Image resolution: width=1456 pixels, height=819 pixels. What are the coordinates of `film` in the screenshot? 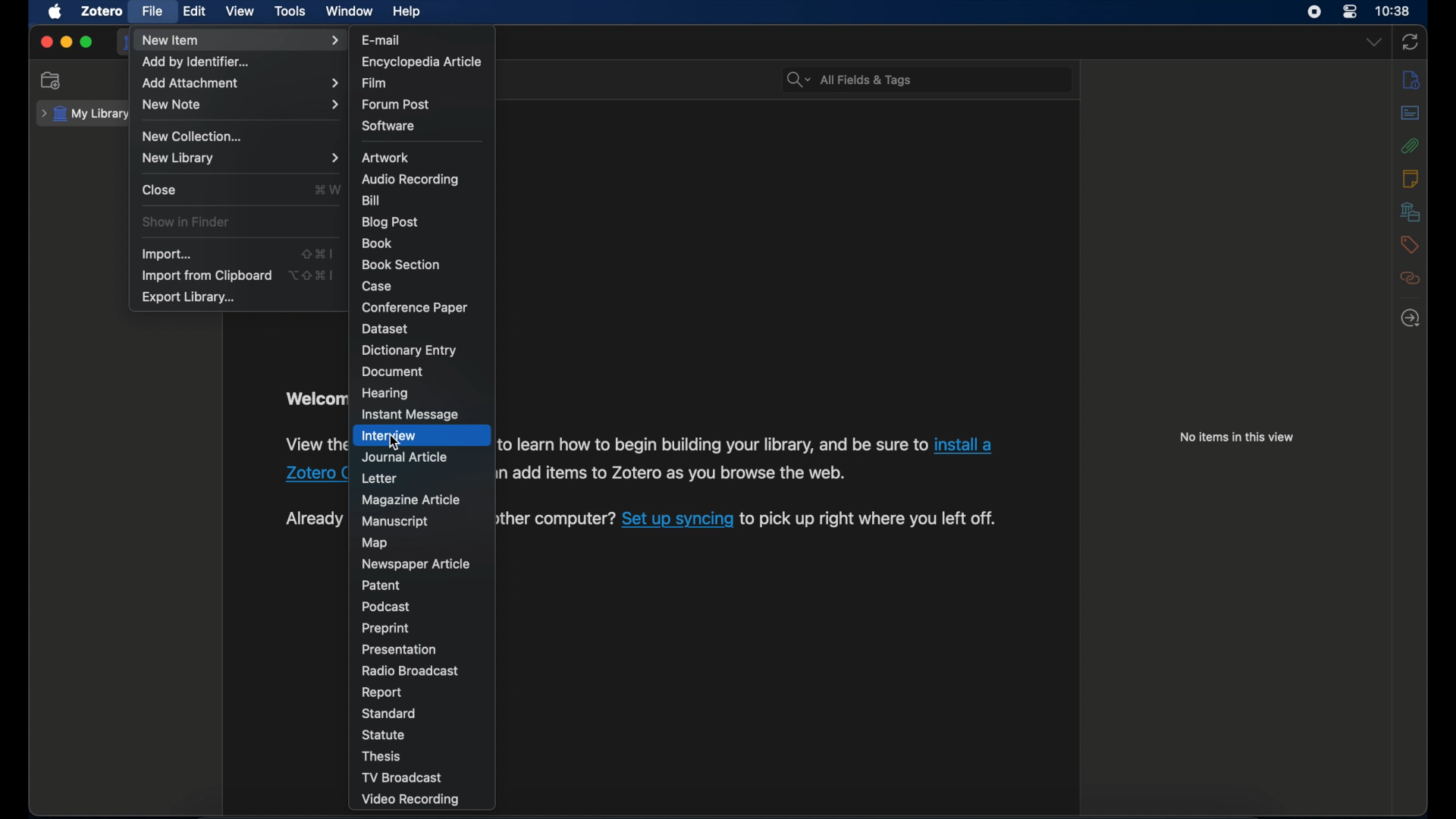 It's located at (375, 83).